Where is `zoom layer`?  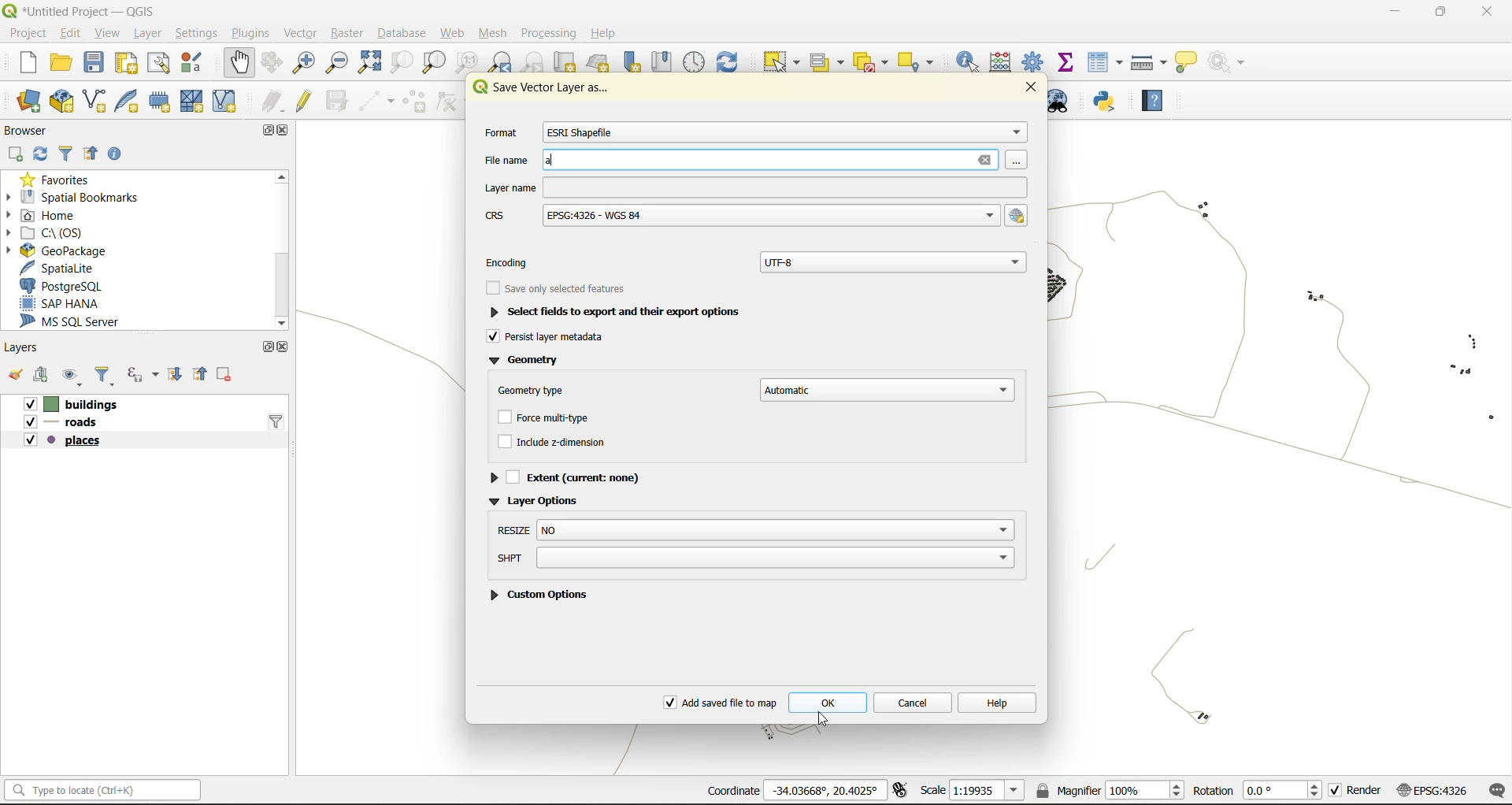 zoom layer is located at coordinates (434, 62).